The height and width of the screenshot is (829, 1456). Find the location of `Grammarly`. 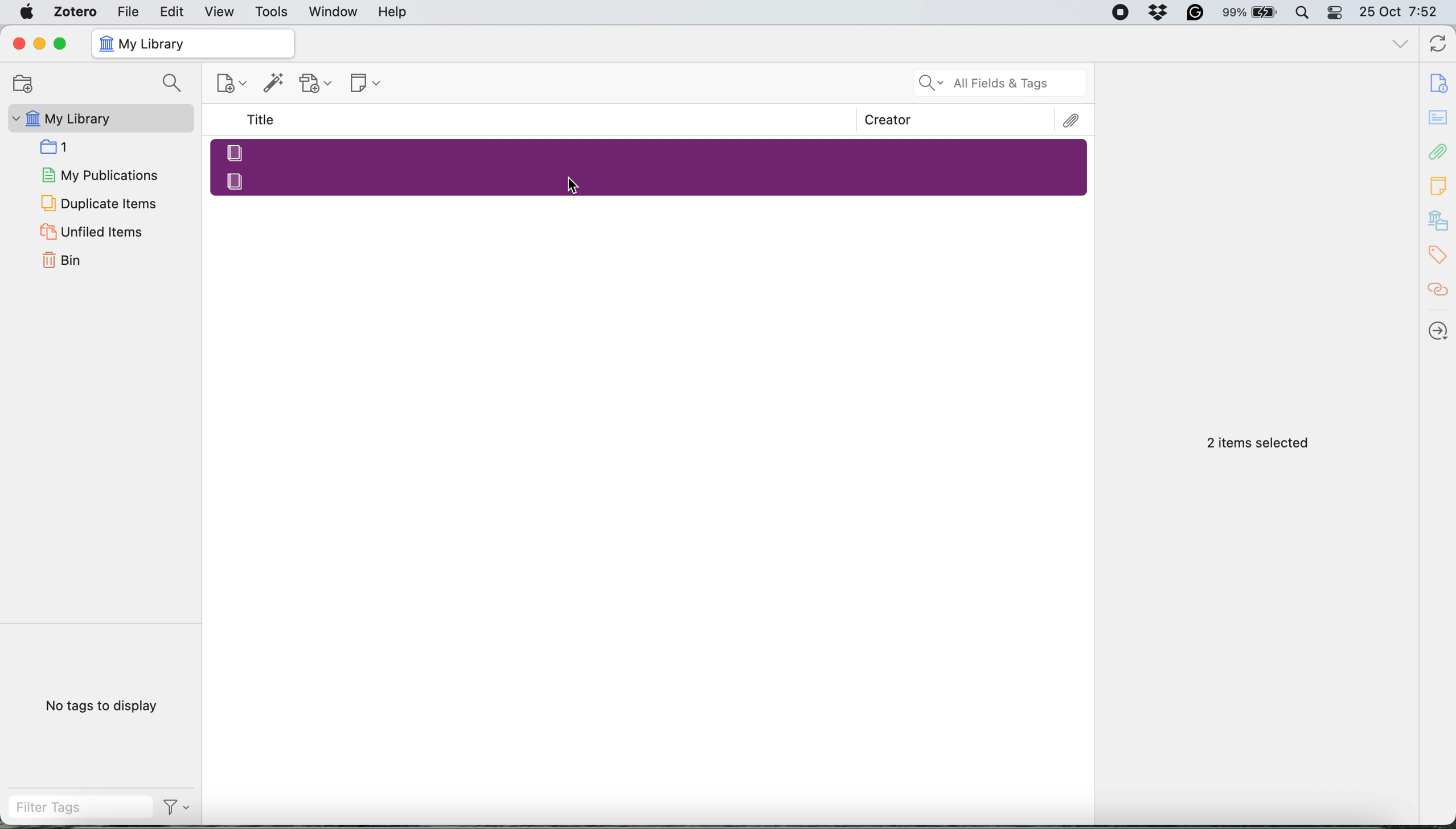

Grammarly is located at coordinates (1196, 12).